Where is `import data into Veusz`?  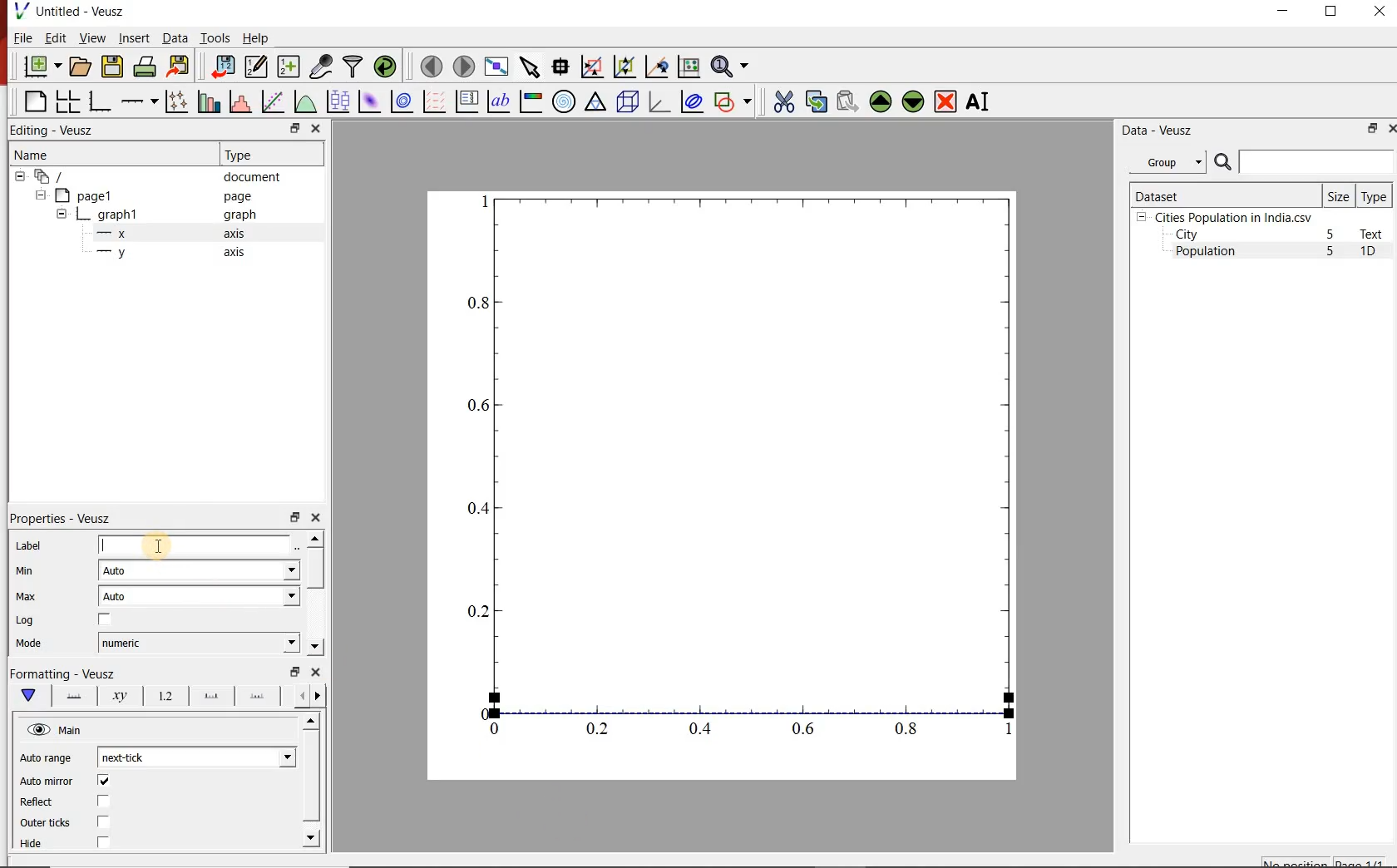
import data into Veusz is located at coordinates (222, 66).